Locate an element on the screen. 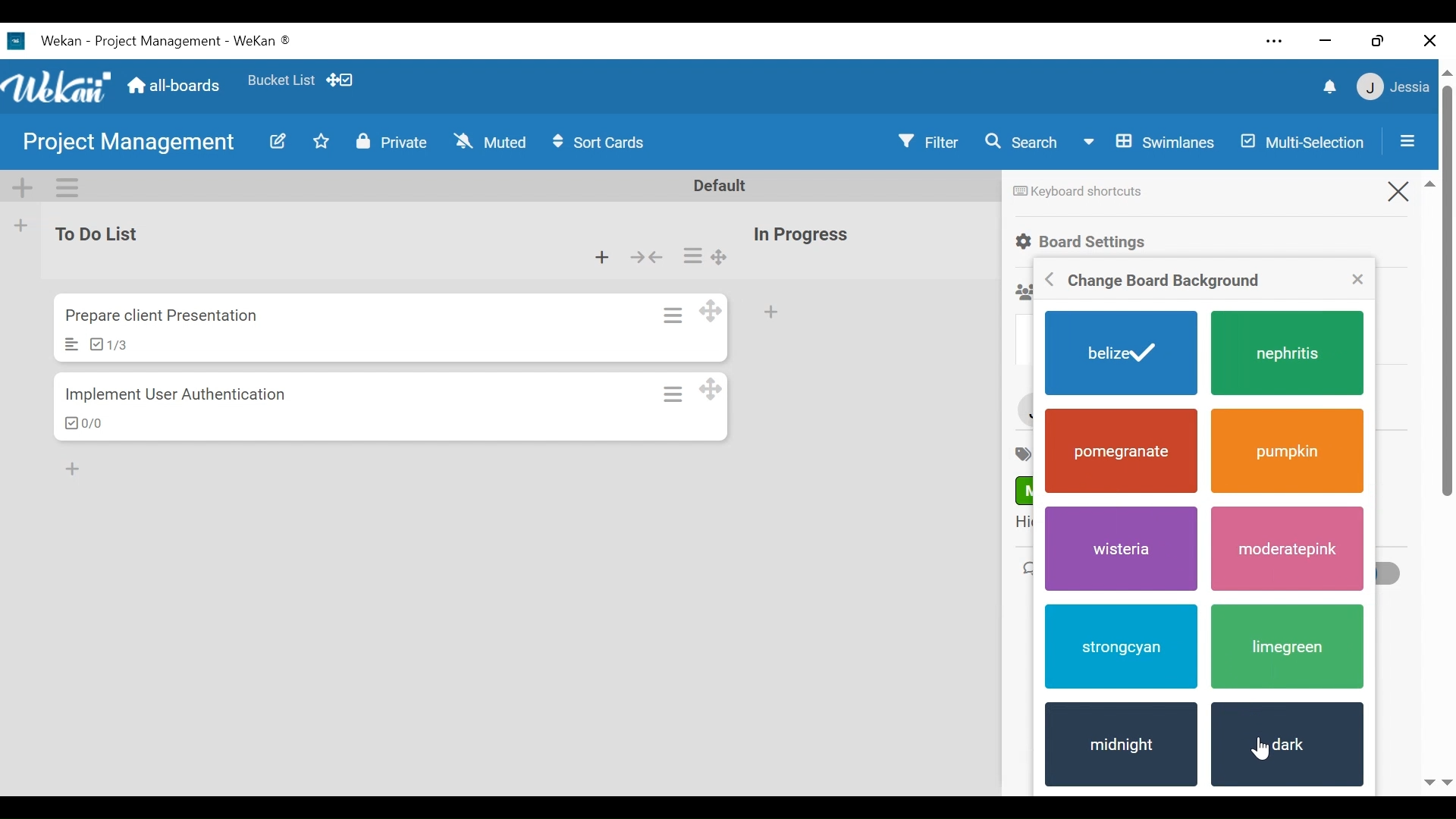 Image resolution: width=1456 pixels, height=819 pixels. Collapse is located at coordinates (656, 257).